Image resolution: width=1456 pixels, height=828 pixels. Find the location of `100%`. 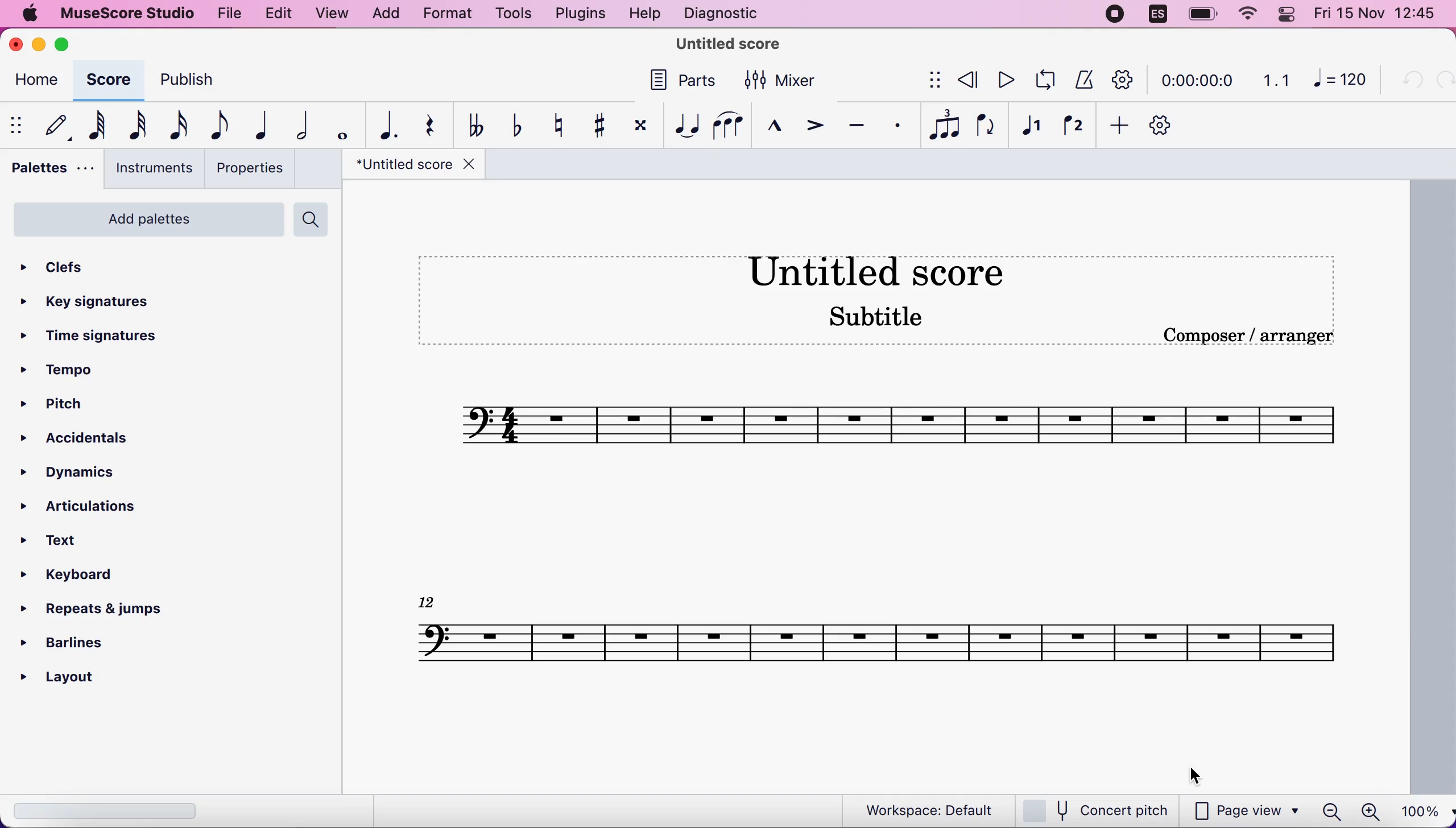

100% is located at coordinates (1422, 810).